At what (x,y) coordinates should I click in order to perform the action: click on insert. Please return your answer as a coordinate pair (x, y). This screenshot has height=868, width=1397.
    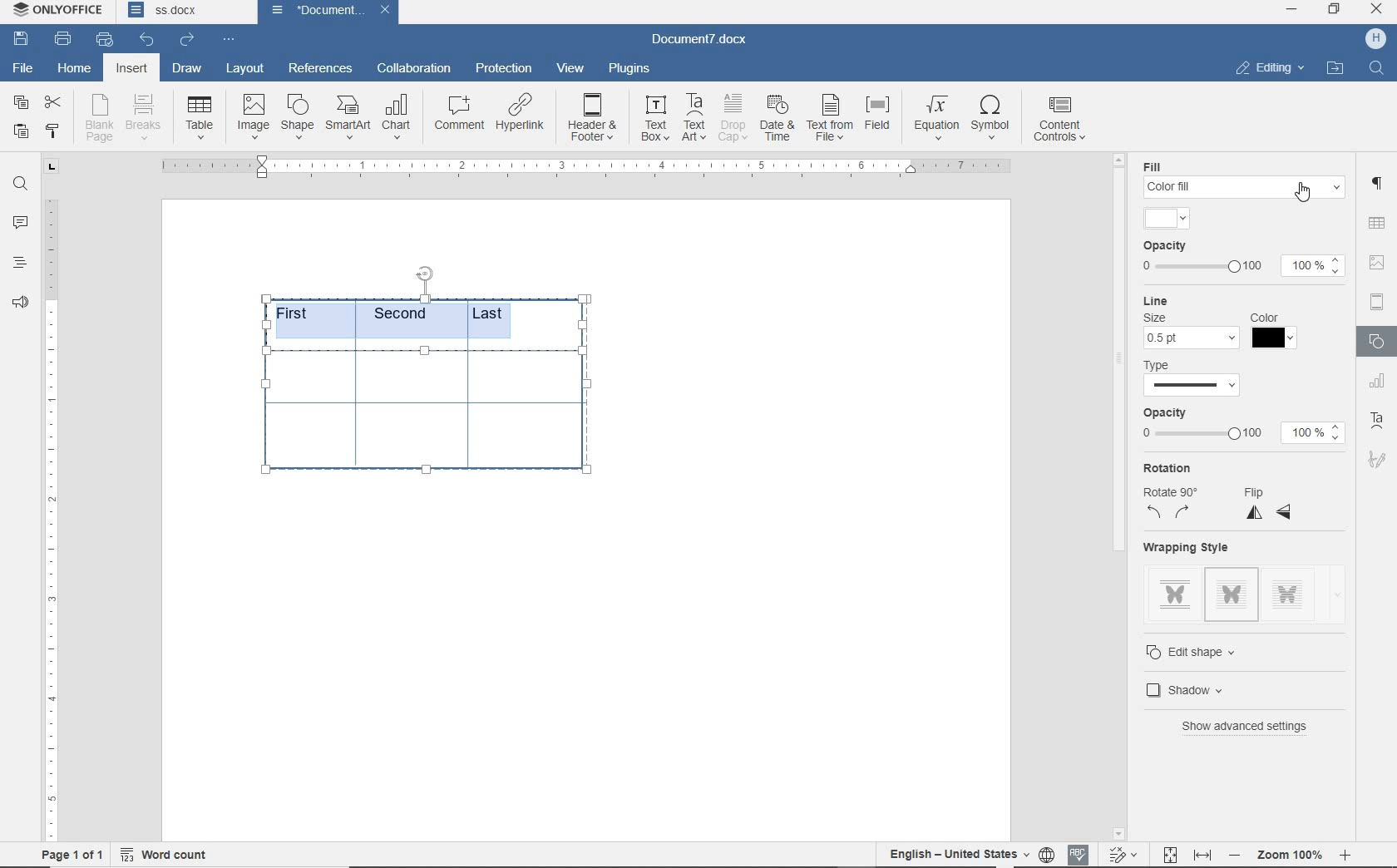
    Looking at the image, I should click on (131, 70).